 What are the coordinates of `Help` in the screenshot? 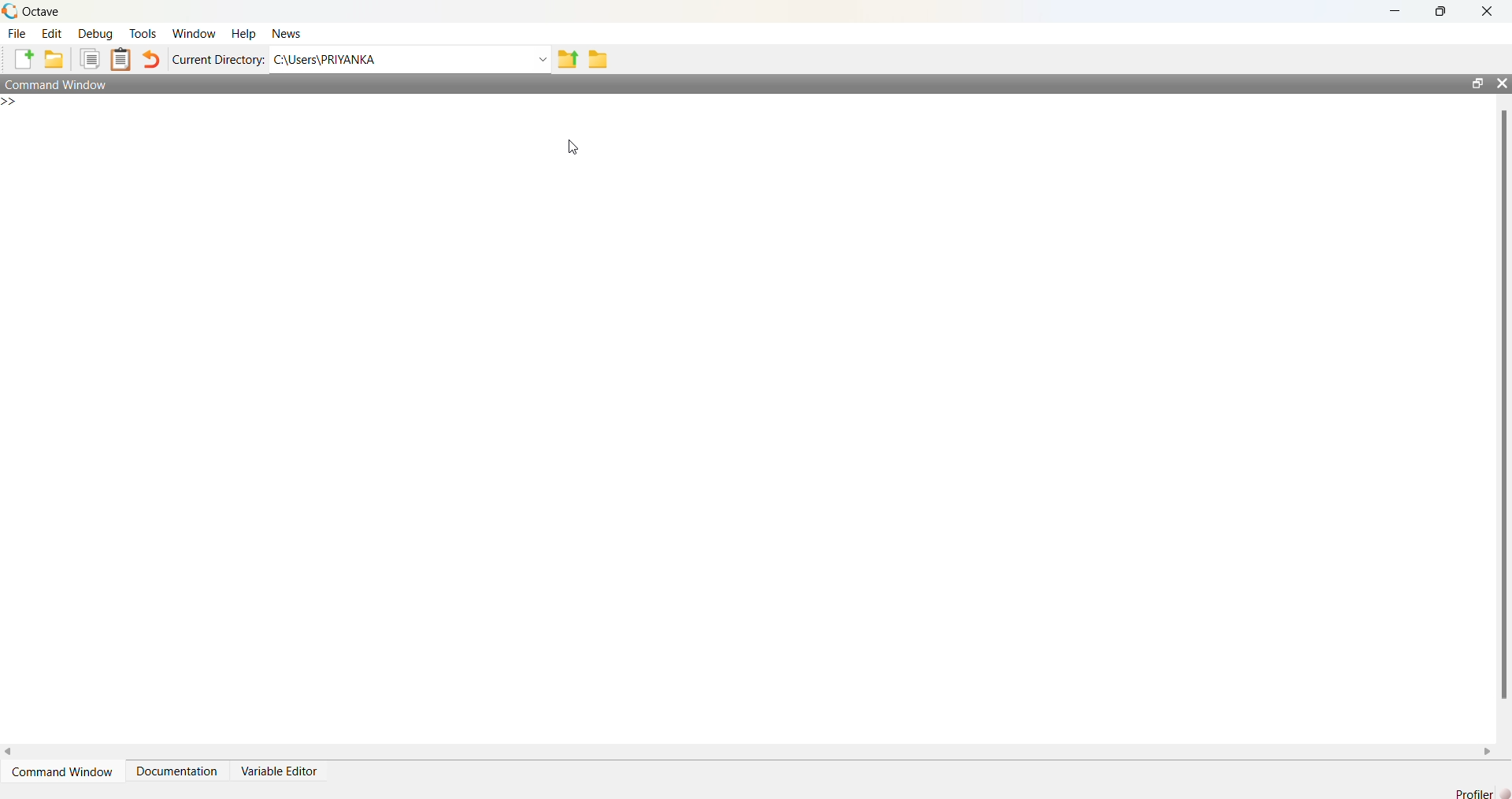 It's located at (243, 33).